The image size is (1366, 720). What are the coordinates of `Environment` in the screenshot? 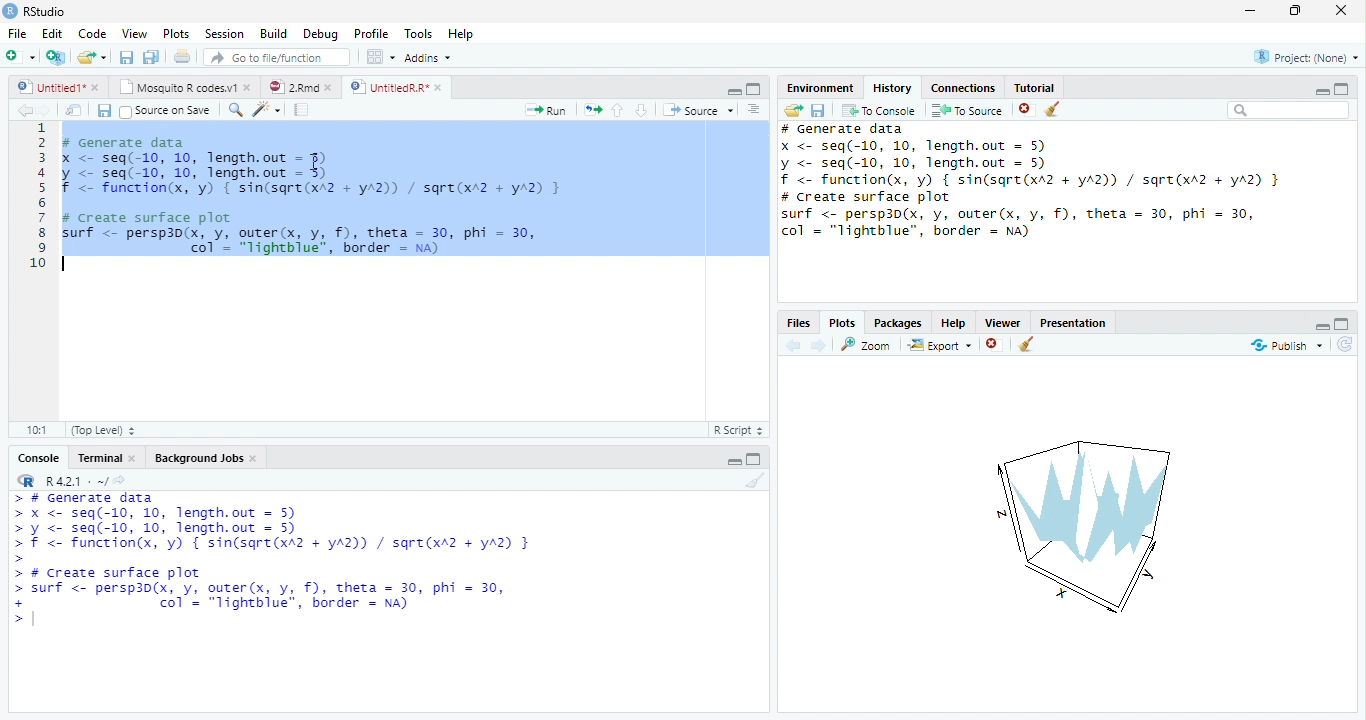 It's located at (820, 88).